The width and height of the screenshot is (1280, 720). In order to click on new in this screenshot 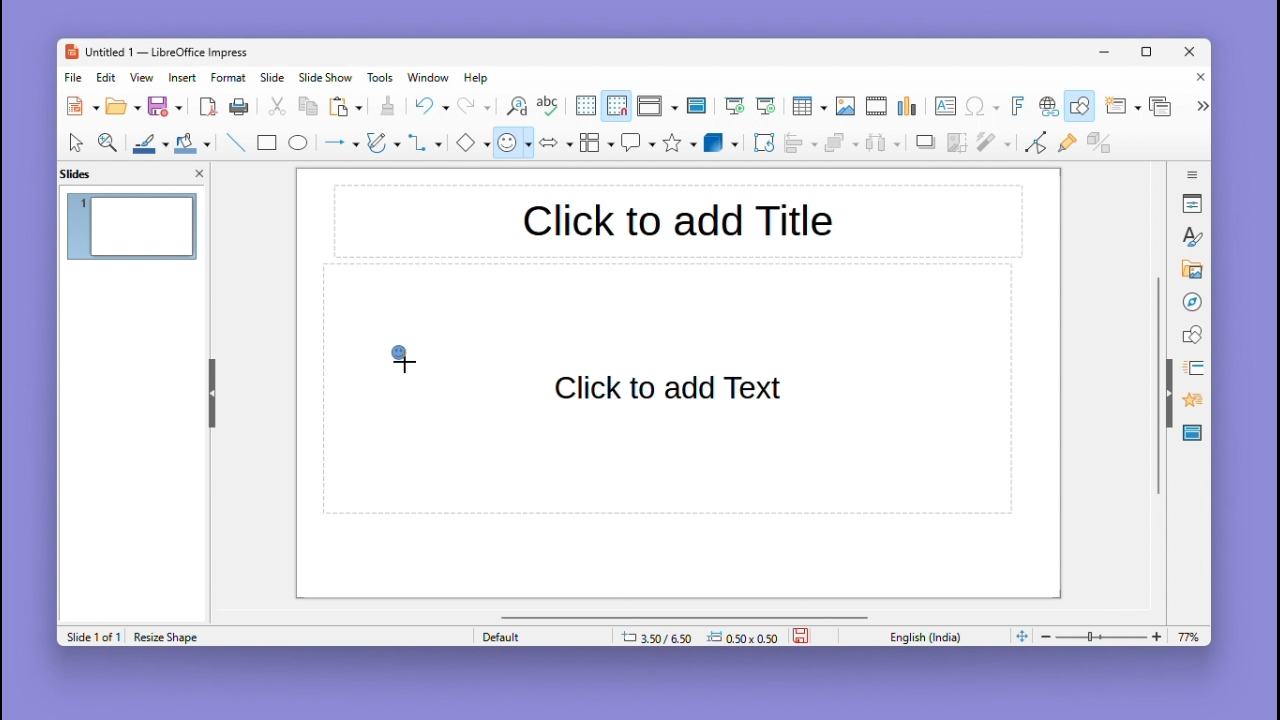, I will do `click(84, 106)`.